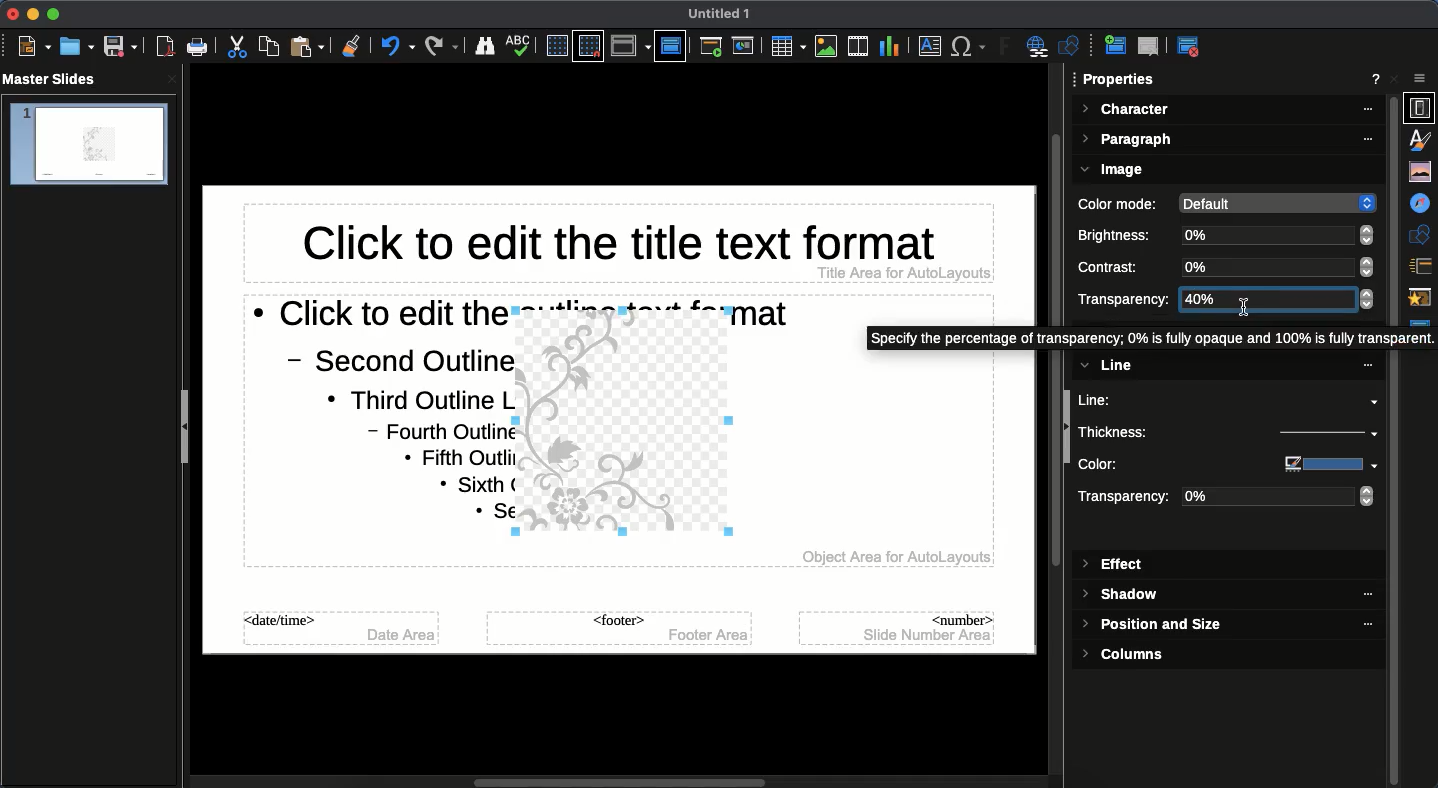 The image size is (1438, 788). What do you see at coordinates (1225, 366) in the screenshot?
I see `Line` at bounding box center [1225, 366].